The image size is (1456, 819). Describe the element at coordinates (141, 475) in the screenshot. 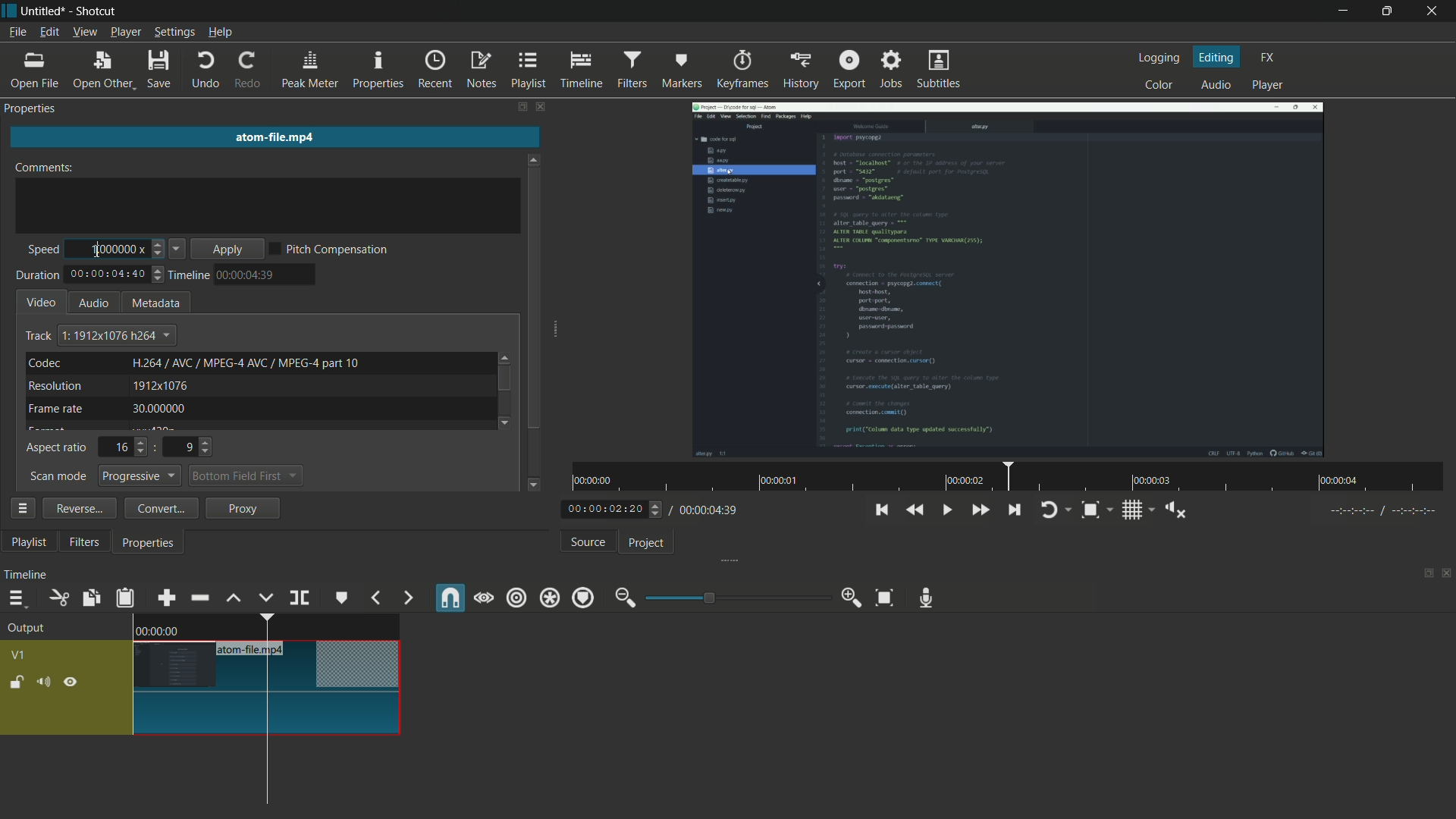

I see `progressive` at that location.